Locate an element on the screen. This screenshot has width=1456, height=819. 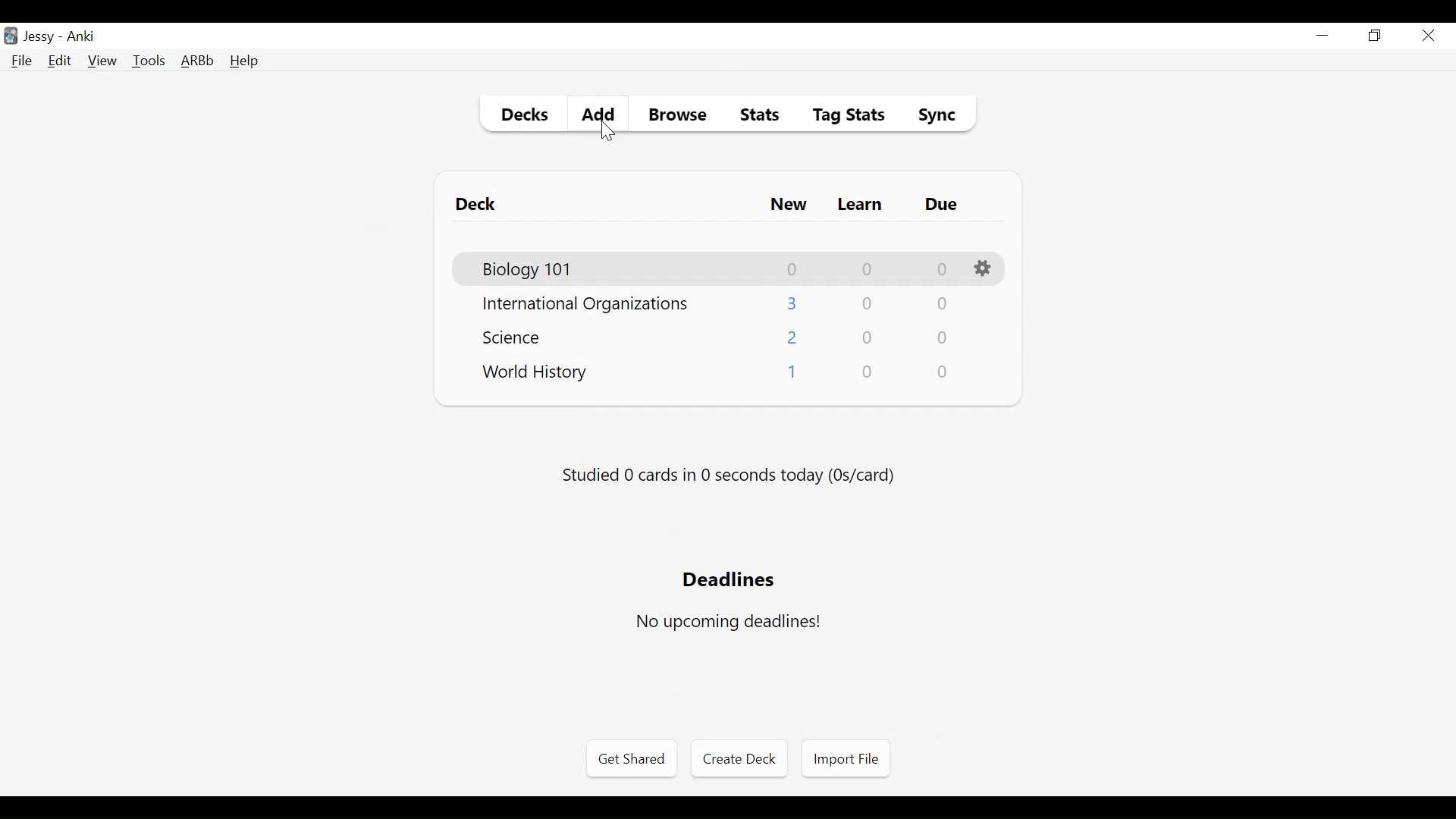
Deck Name is located at coordinates (535, 373).